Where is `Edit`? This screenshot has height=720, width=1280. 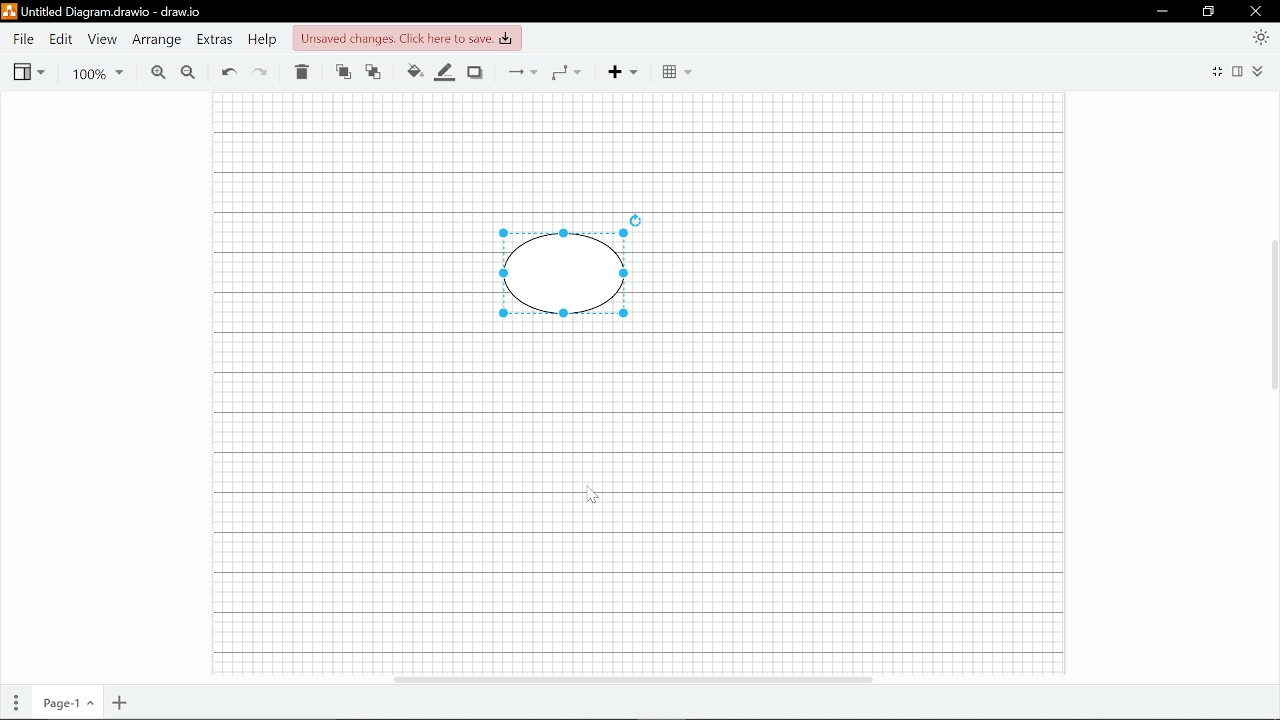 Edit is located at coordinates (61, 39).